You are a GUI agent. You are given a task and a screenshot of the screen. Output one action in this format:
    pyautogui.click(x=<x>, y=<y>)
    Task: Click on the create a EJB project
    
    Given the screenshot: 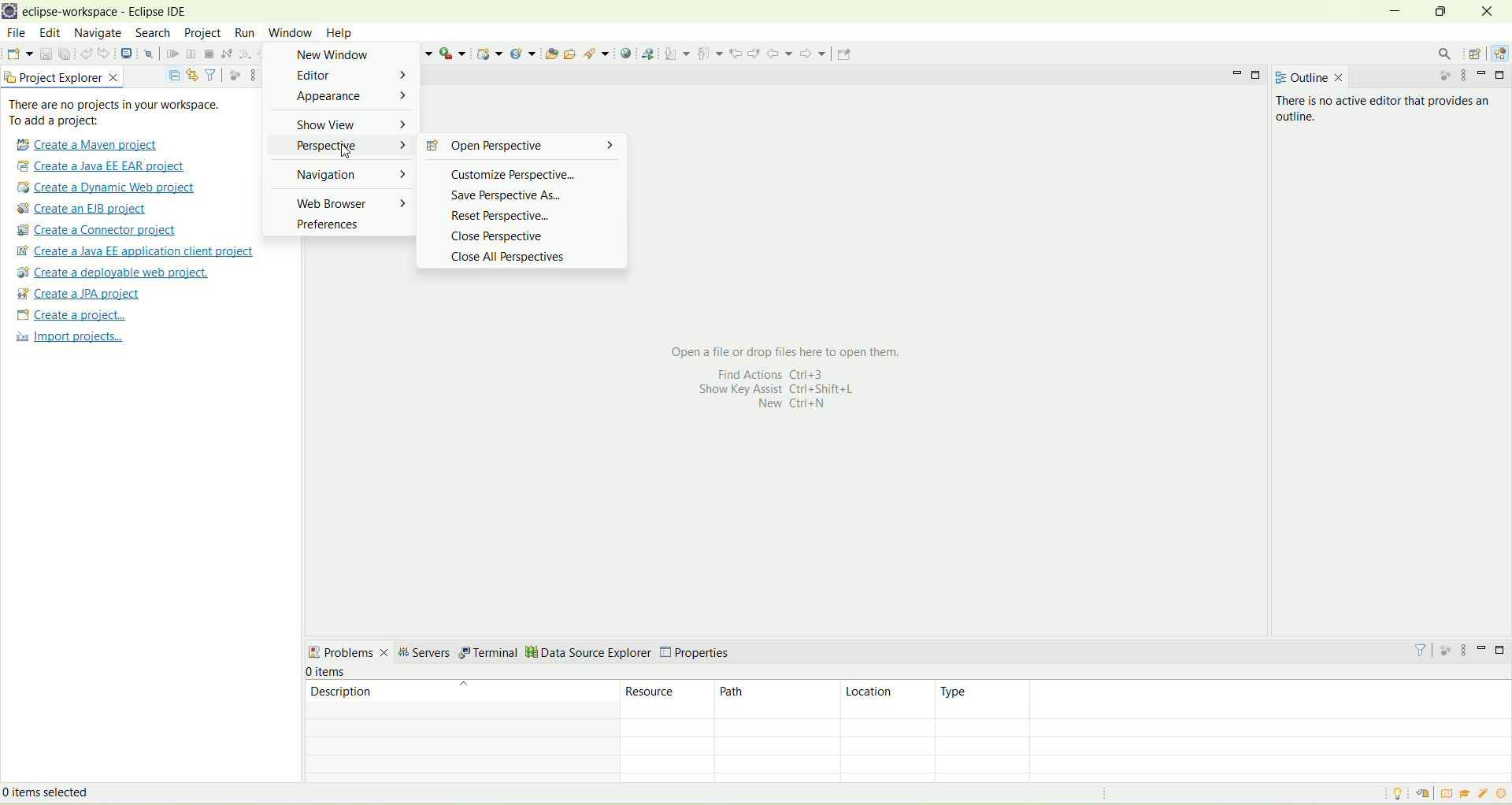 What is the action you would take?
    pyautogui.click(x=86, y=210)
    